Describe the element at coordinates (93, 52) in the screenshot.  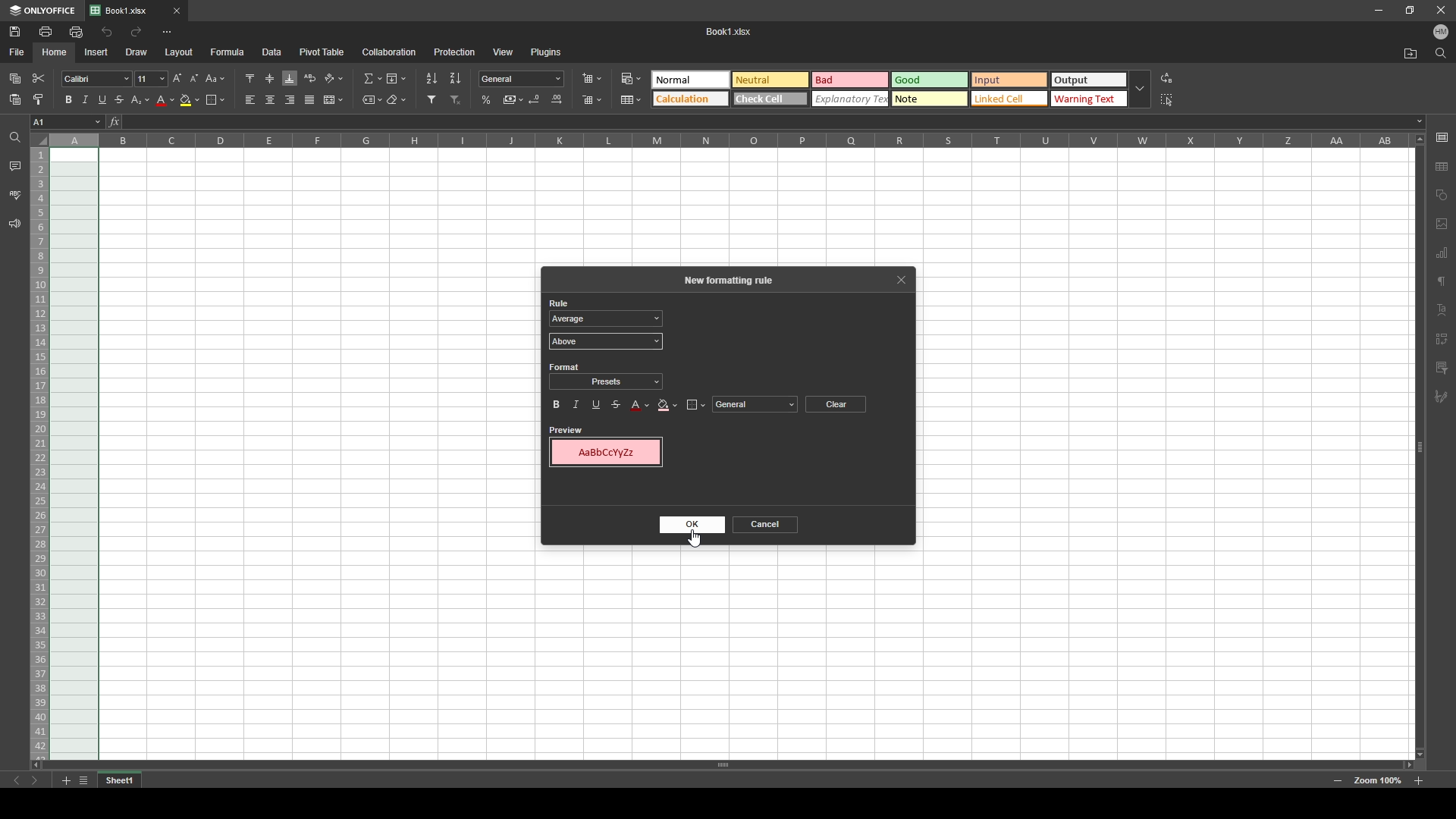
I see `insert` at that location.